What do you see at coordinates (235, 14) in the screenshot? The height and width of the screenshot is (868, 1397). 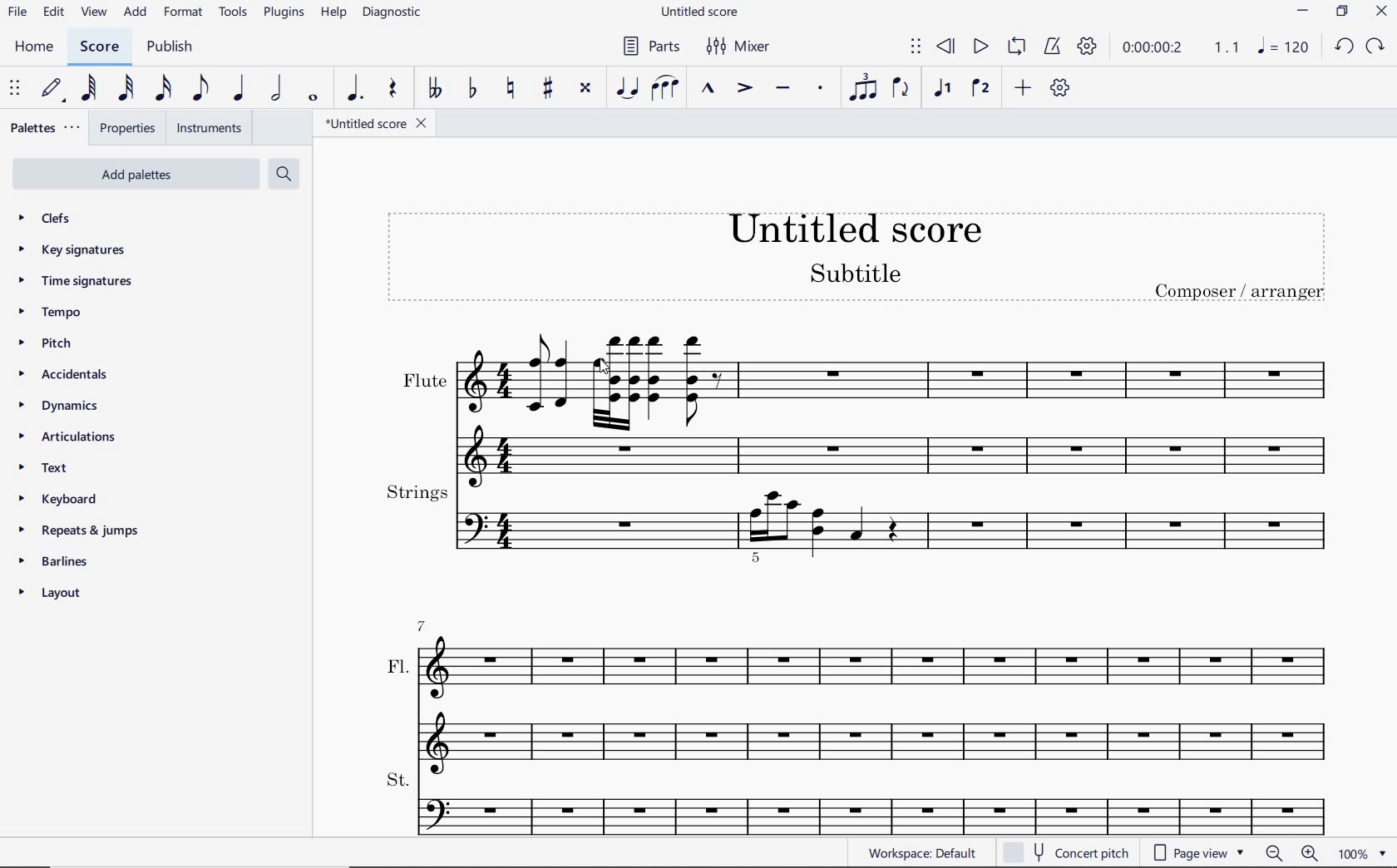 I see `tools` at bounding box center [235, 14].